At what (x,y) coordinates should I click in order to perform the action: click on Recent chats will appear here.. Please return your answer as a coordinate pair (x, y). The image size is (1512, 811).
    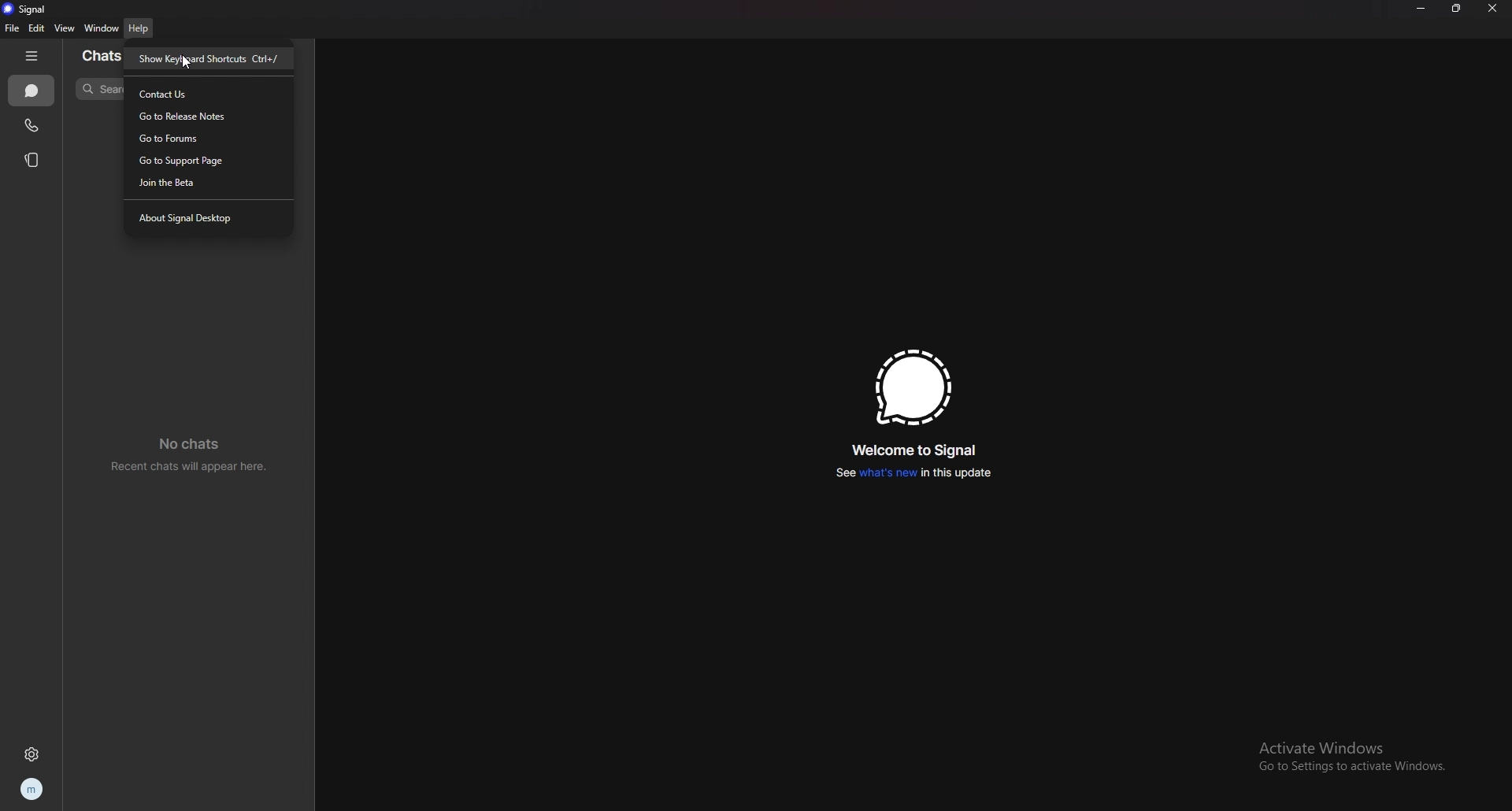
    Looking at the image, I should click on (196, 468).